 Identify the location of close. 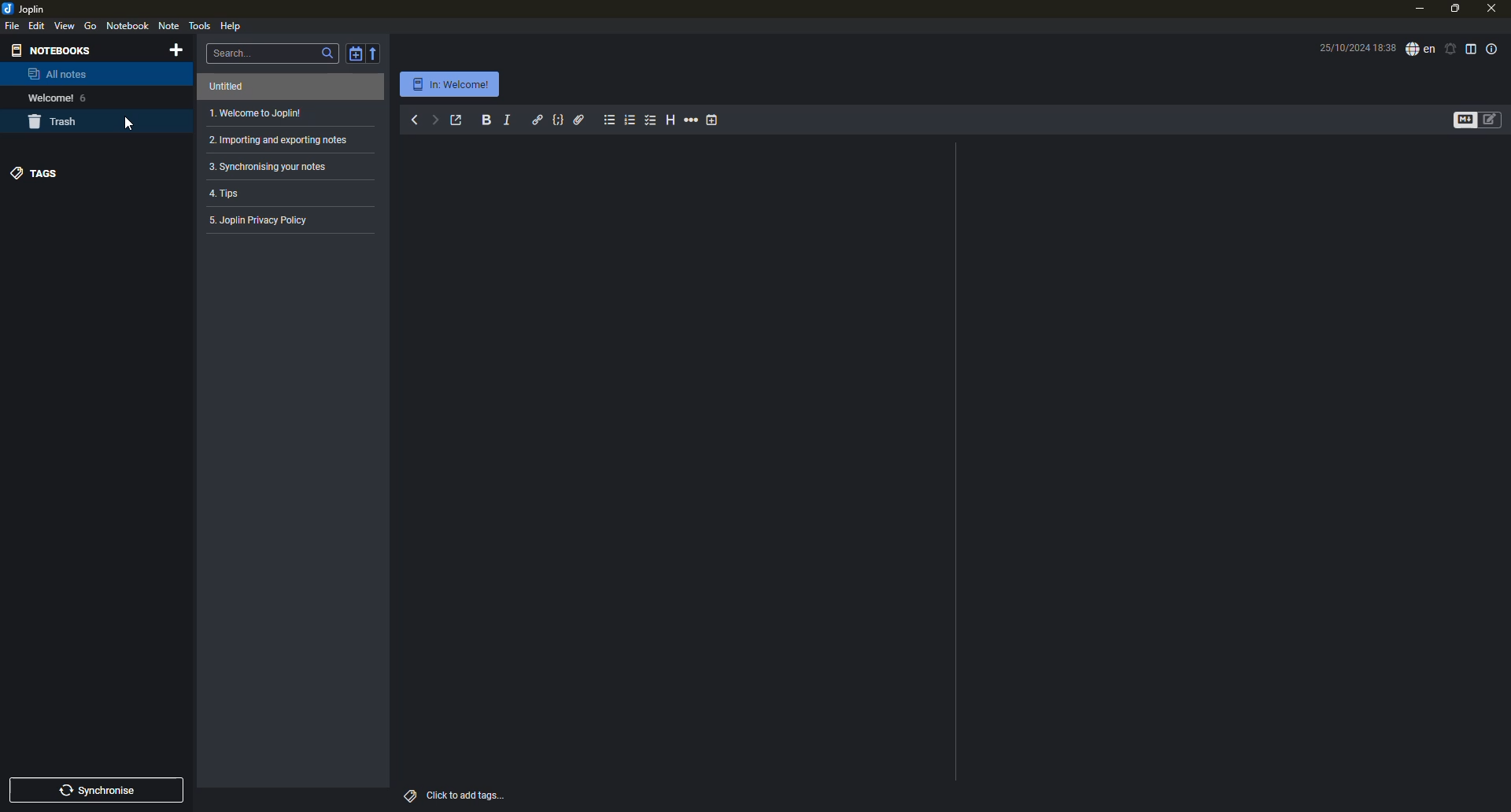
(1490, 7).